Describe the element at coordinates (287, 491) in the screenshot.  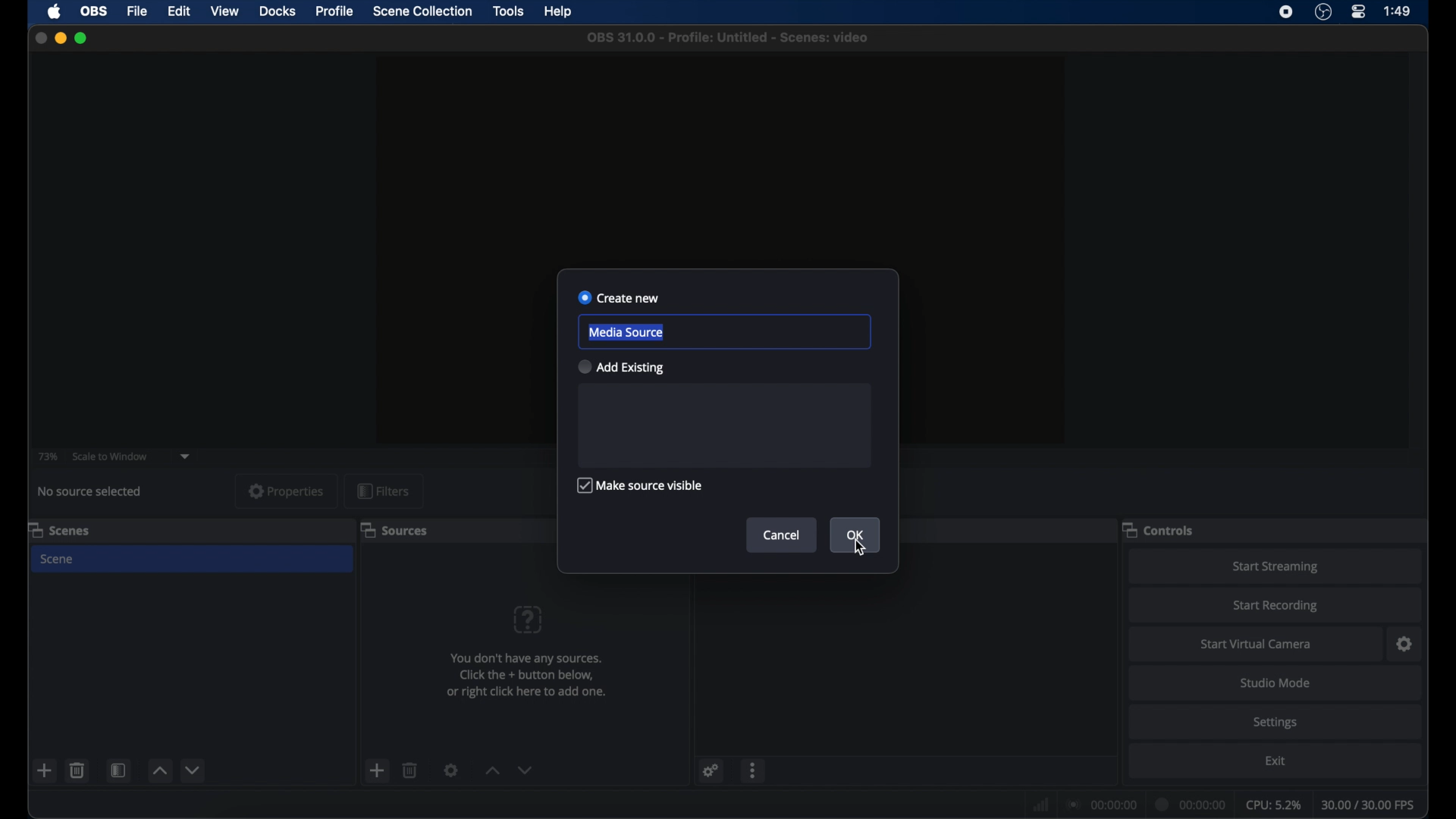
I see `properties` at that location.